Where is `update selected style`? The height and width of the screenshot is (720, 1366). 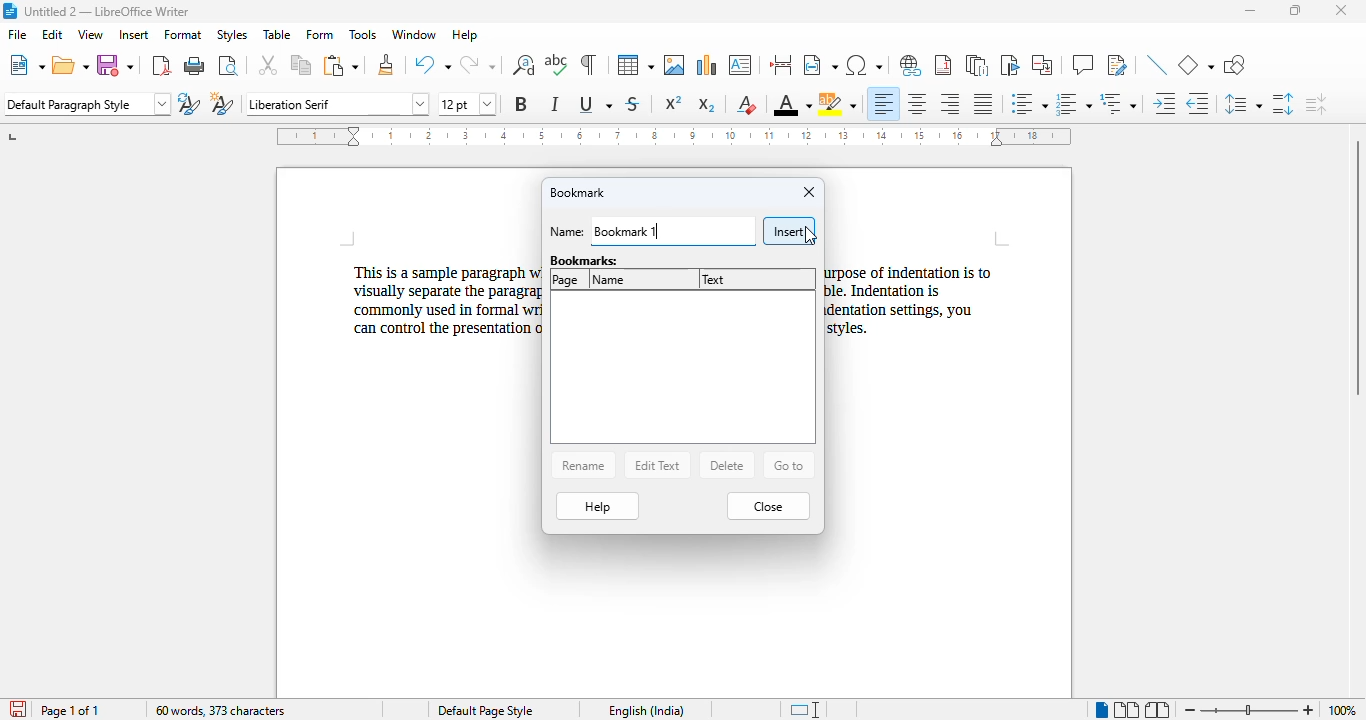
update selected style is located at coordinates (189, 103).